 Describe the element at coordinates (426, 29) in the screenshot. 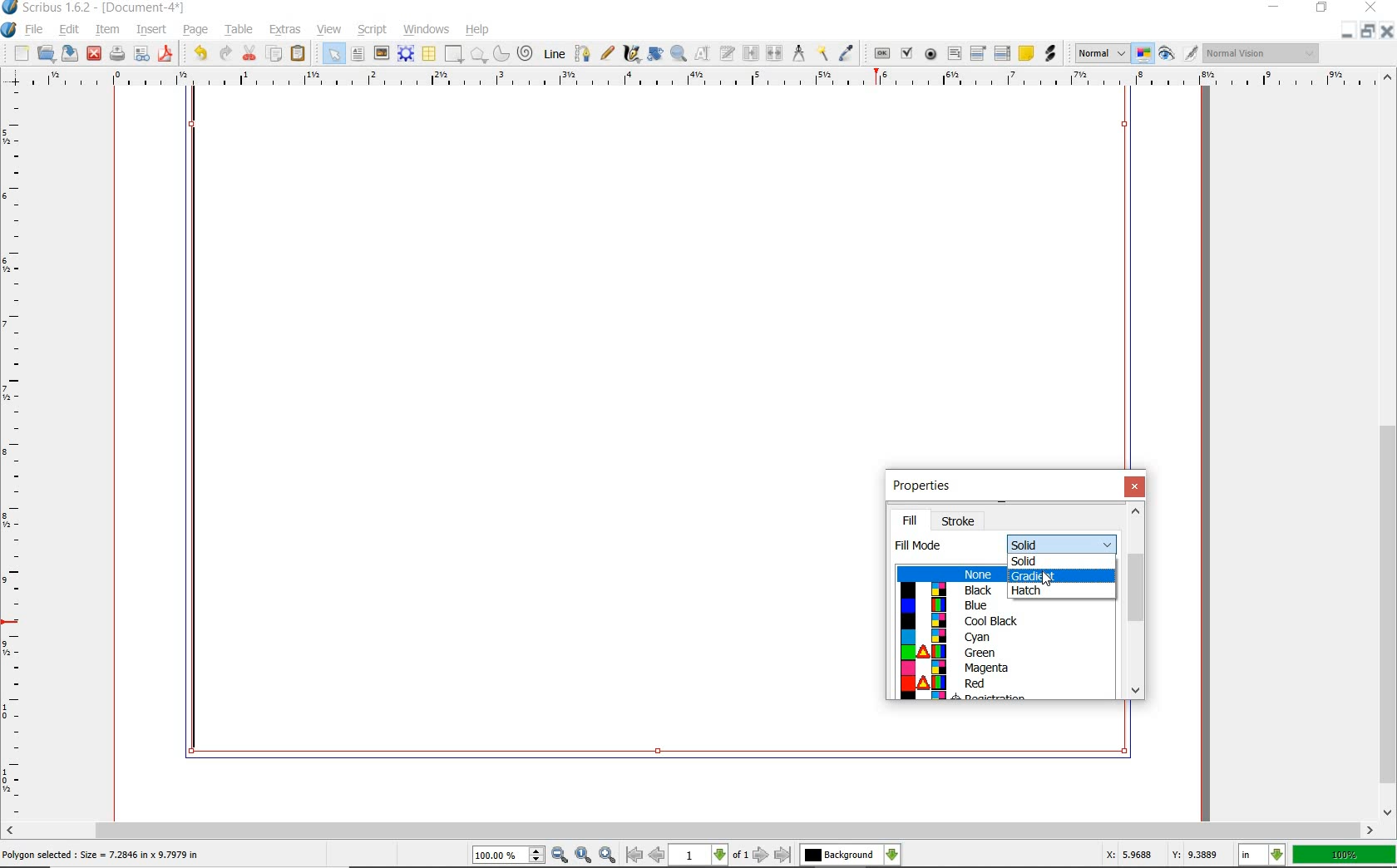

I see `windows` at that location.